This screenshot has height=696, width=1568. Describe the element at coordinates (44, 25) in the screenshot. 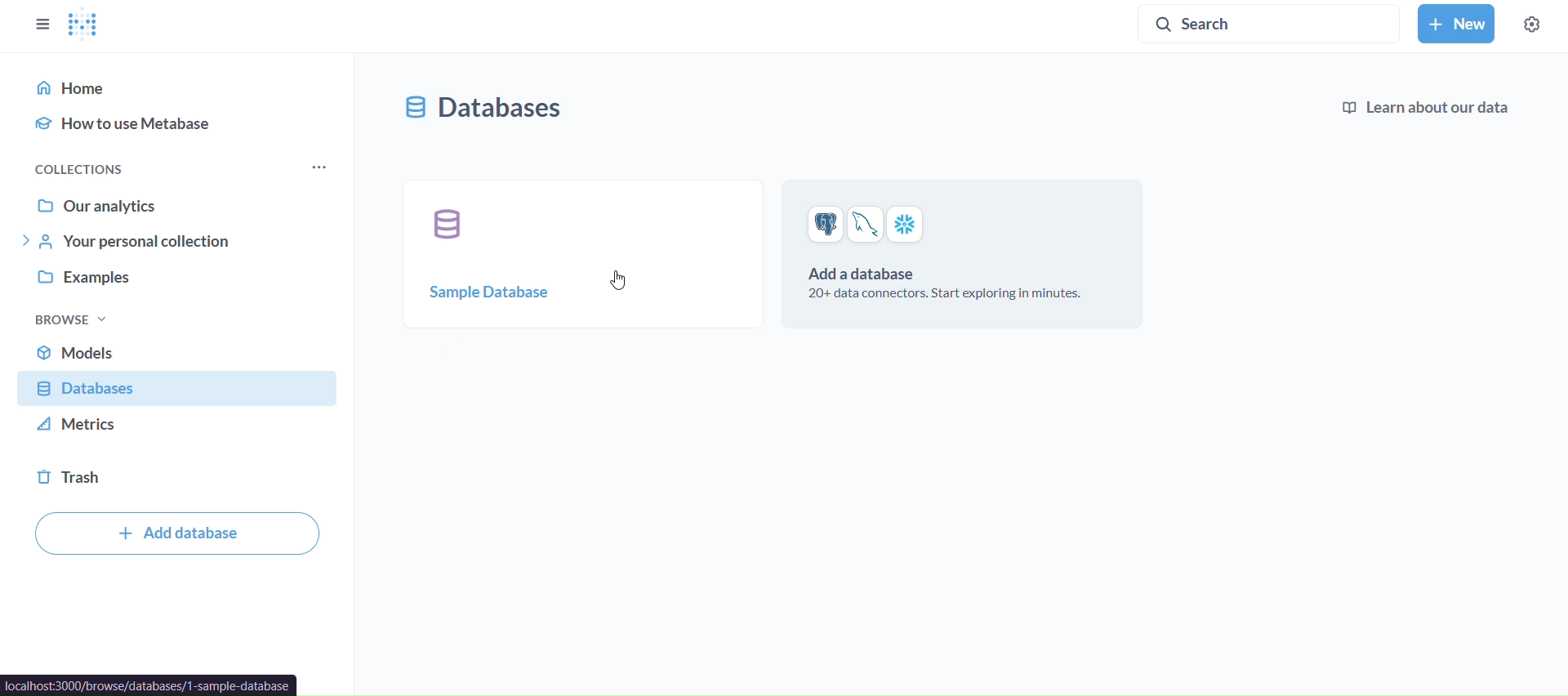

I see `close sidebar` at that location.